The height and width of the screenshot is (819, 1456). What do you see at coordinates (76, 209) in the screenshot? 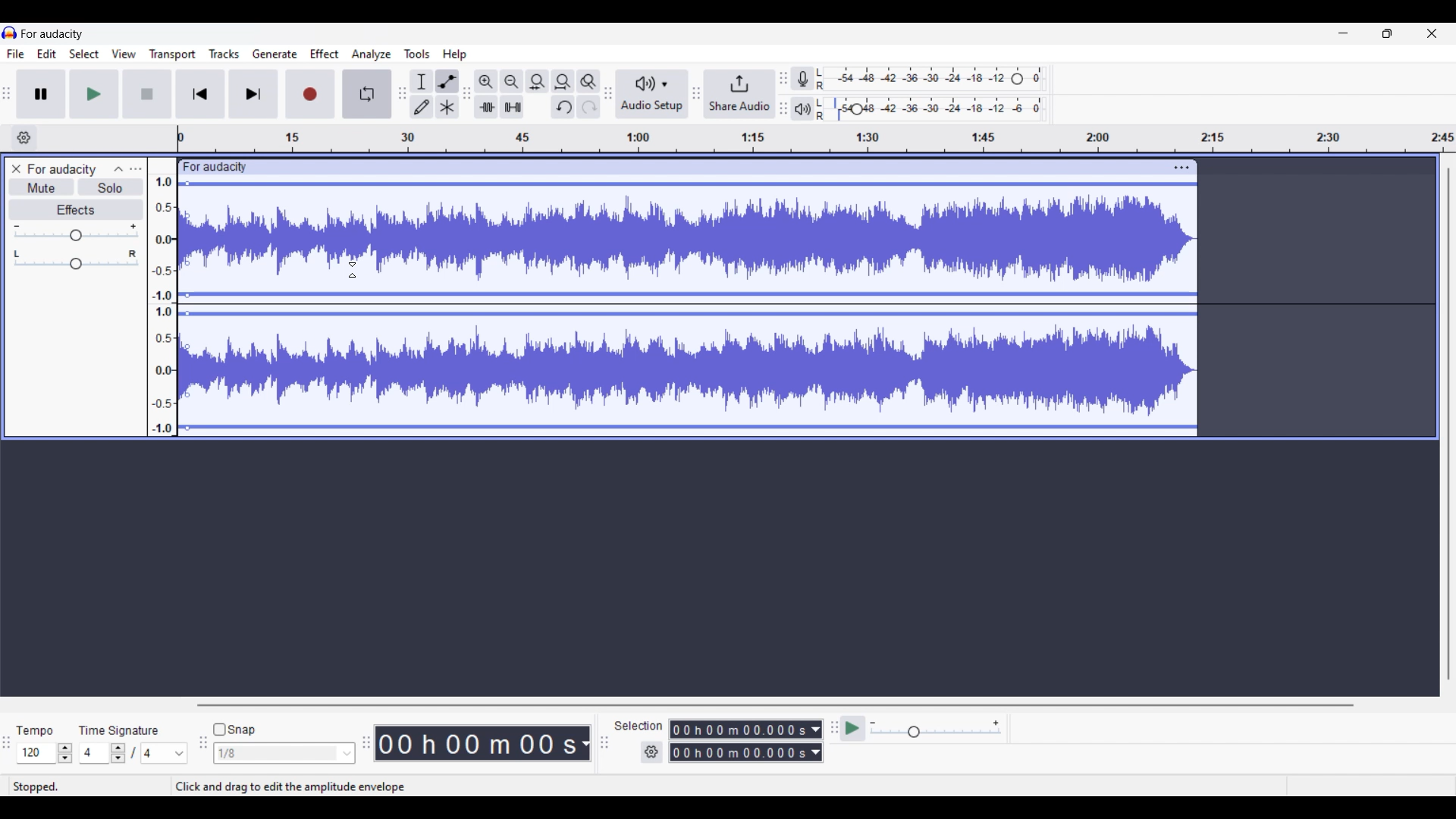
I see `Effects` at bounding box center [76, 209].